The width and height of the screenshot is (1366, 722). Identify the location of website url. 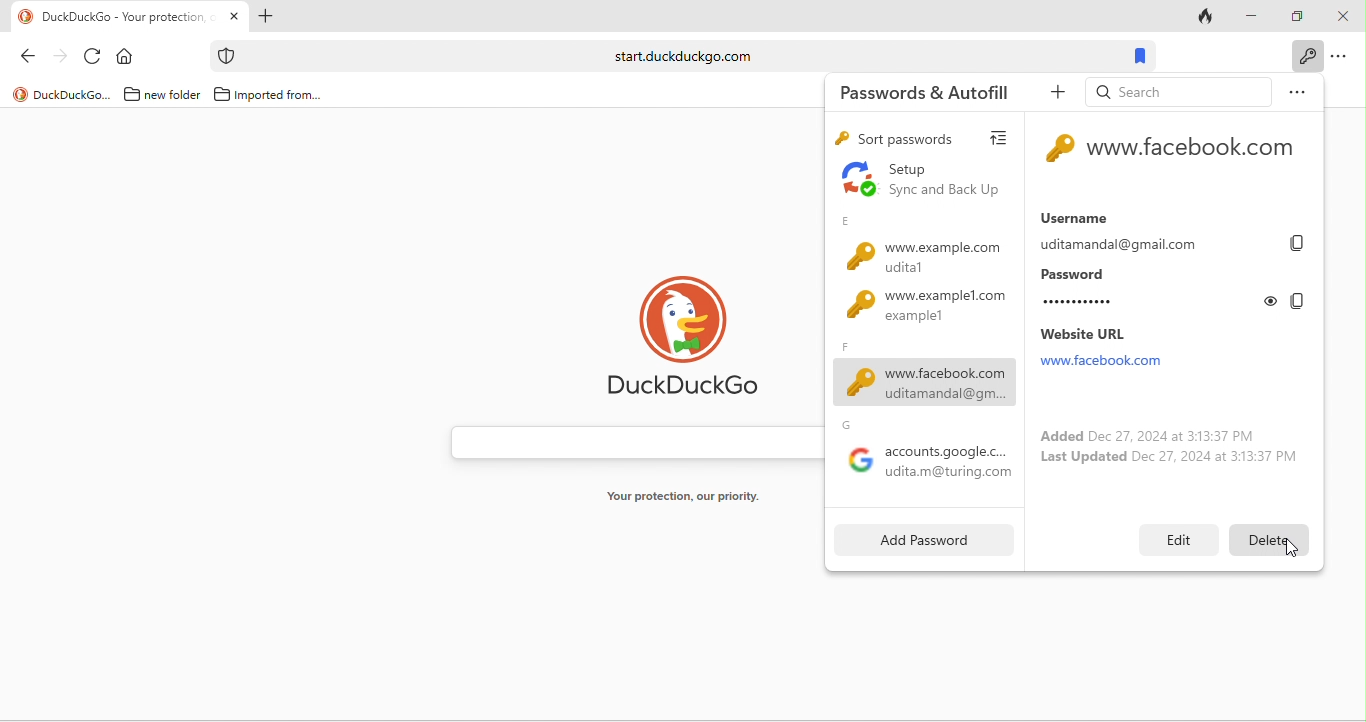
(1122, 348).